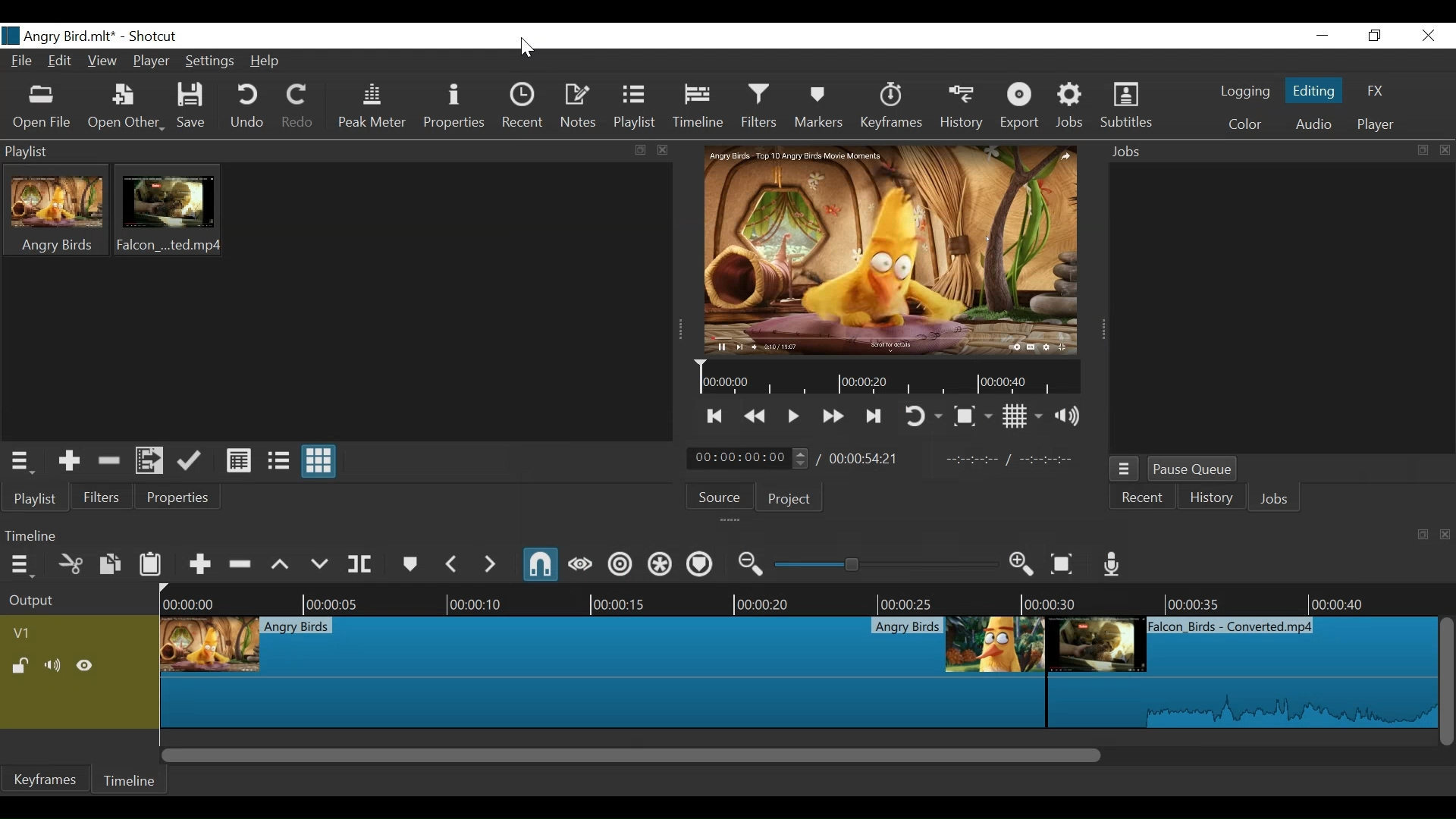 The image size is (1456, 819). Describe the element at coordinates (921, 417) in the screenshot. I see `Toggle player looping` at that location.